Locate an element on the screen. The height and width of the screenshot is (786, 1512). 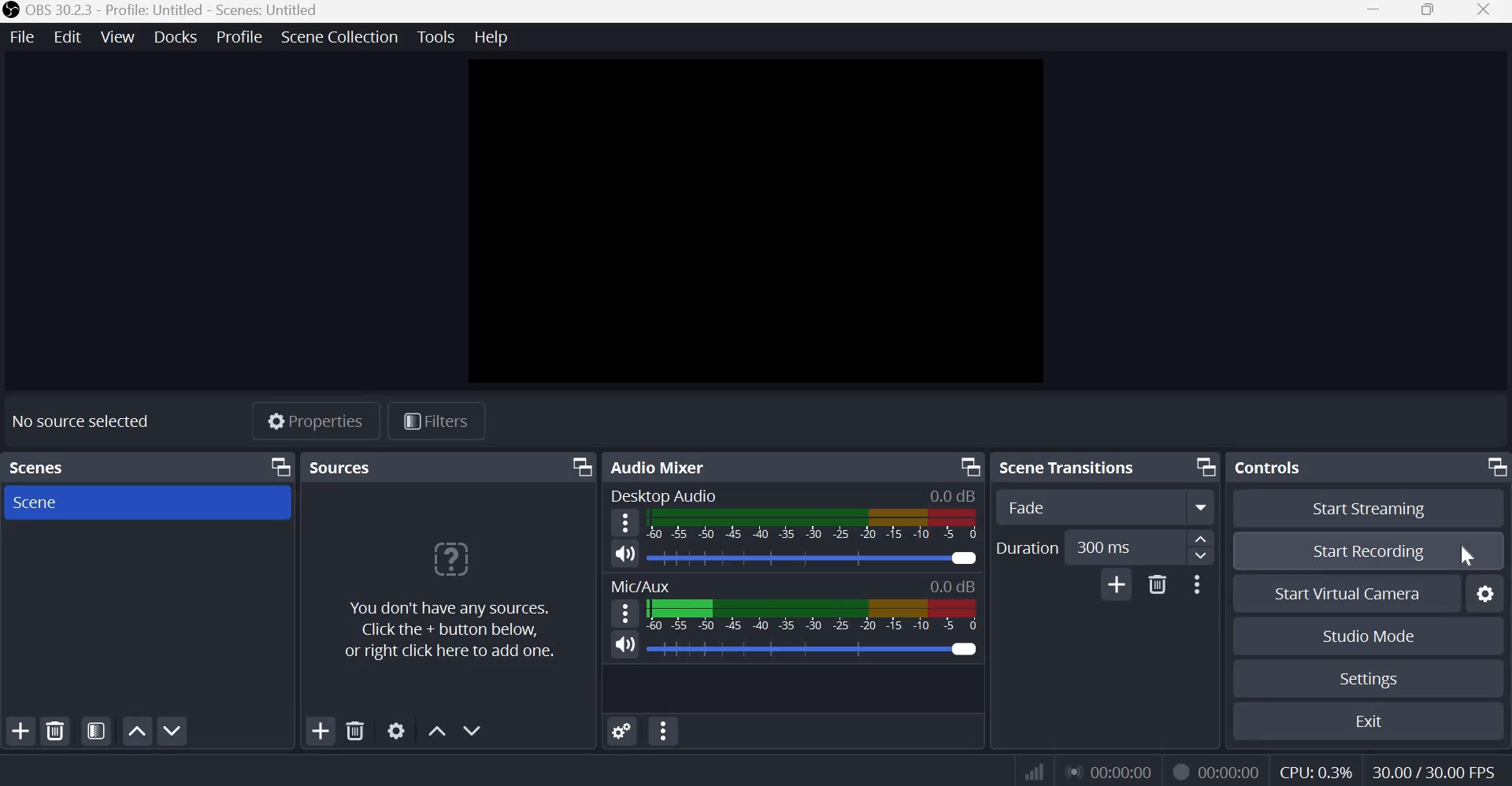
View is located at coordinates (116, 37).